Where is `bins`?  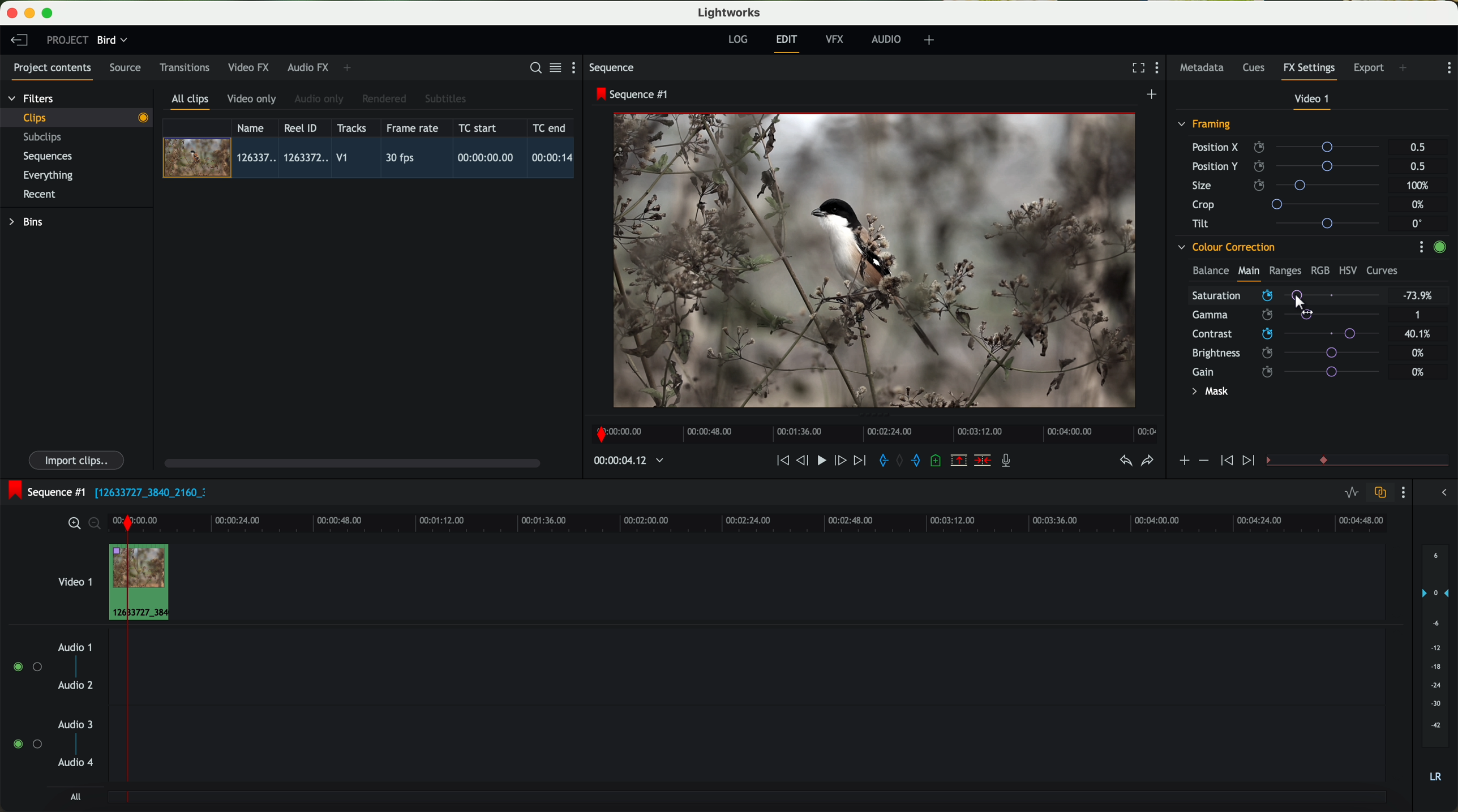
bins is located at coordinates (28, 222).